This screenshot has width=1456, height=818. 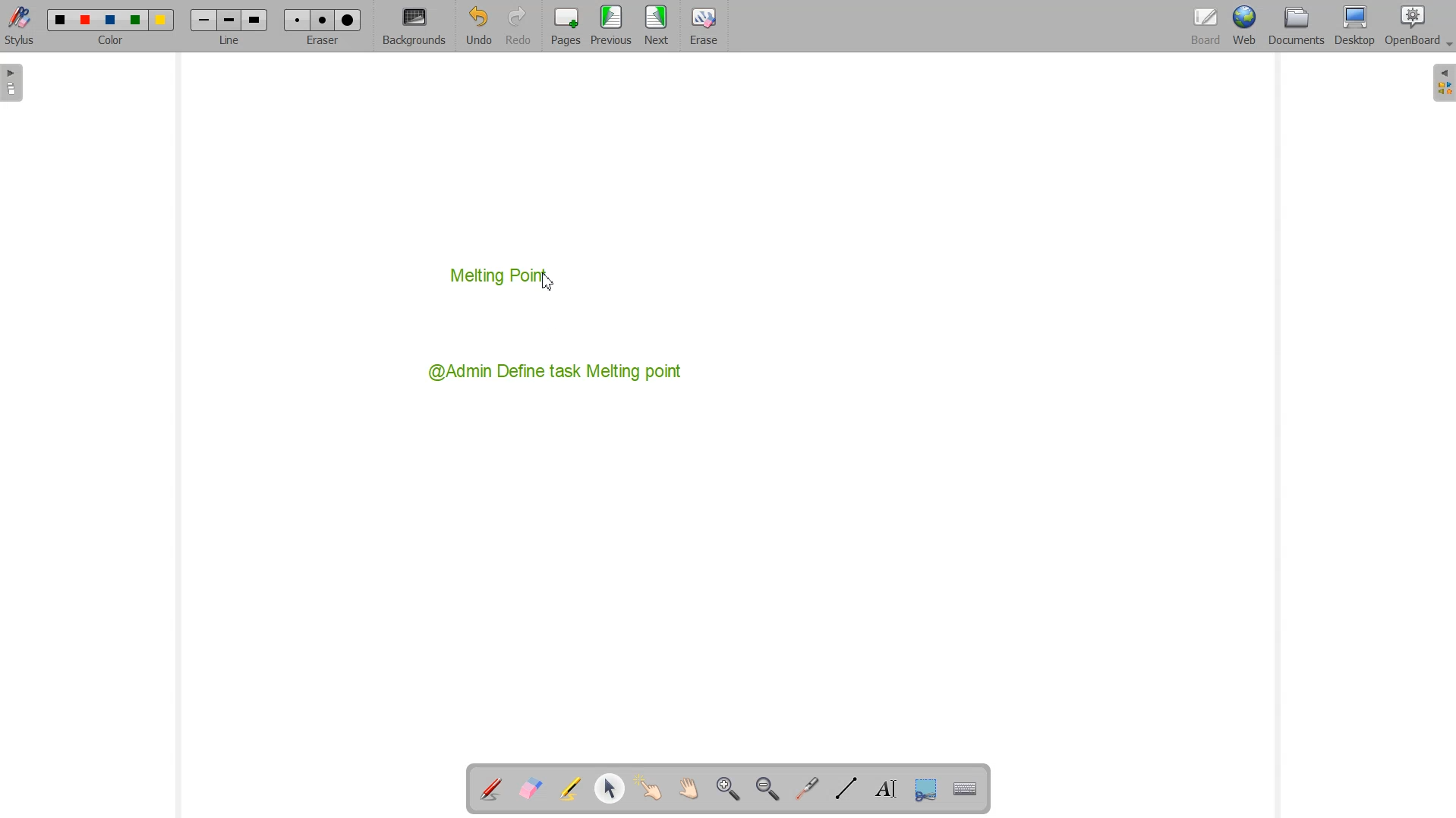 I want to click on Next, so click(x=657, y=27).